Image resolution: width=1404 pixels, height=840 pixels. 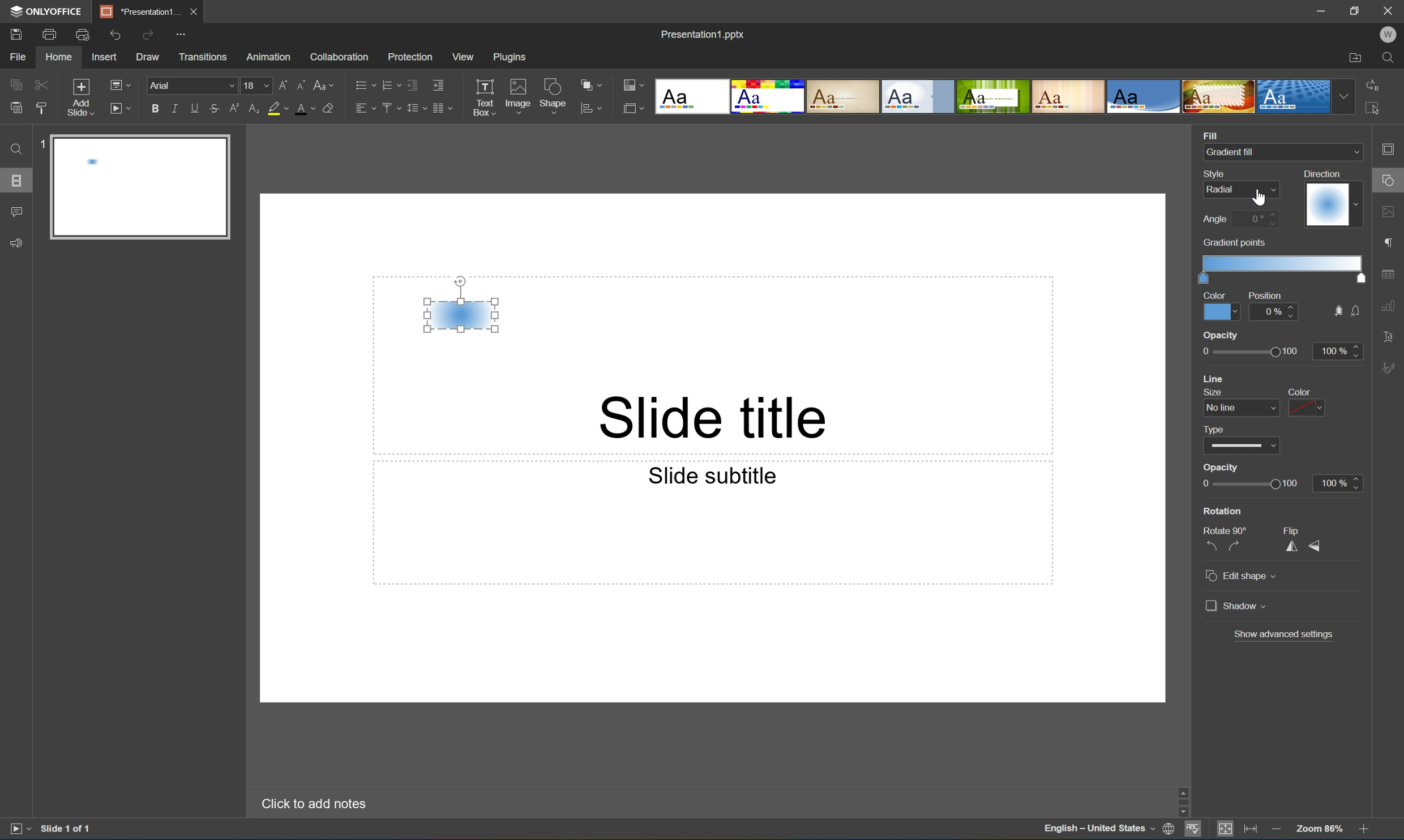 I want to click on Scroll Bar, so click(x=1361, y=799).